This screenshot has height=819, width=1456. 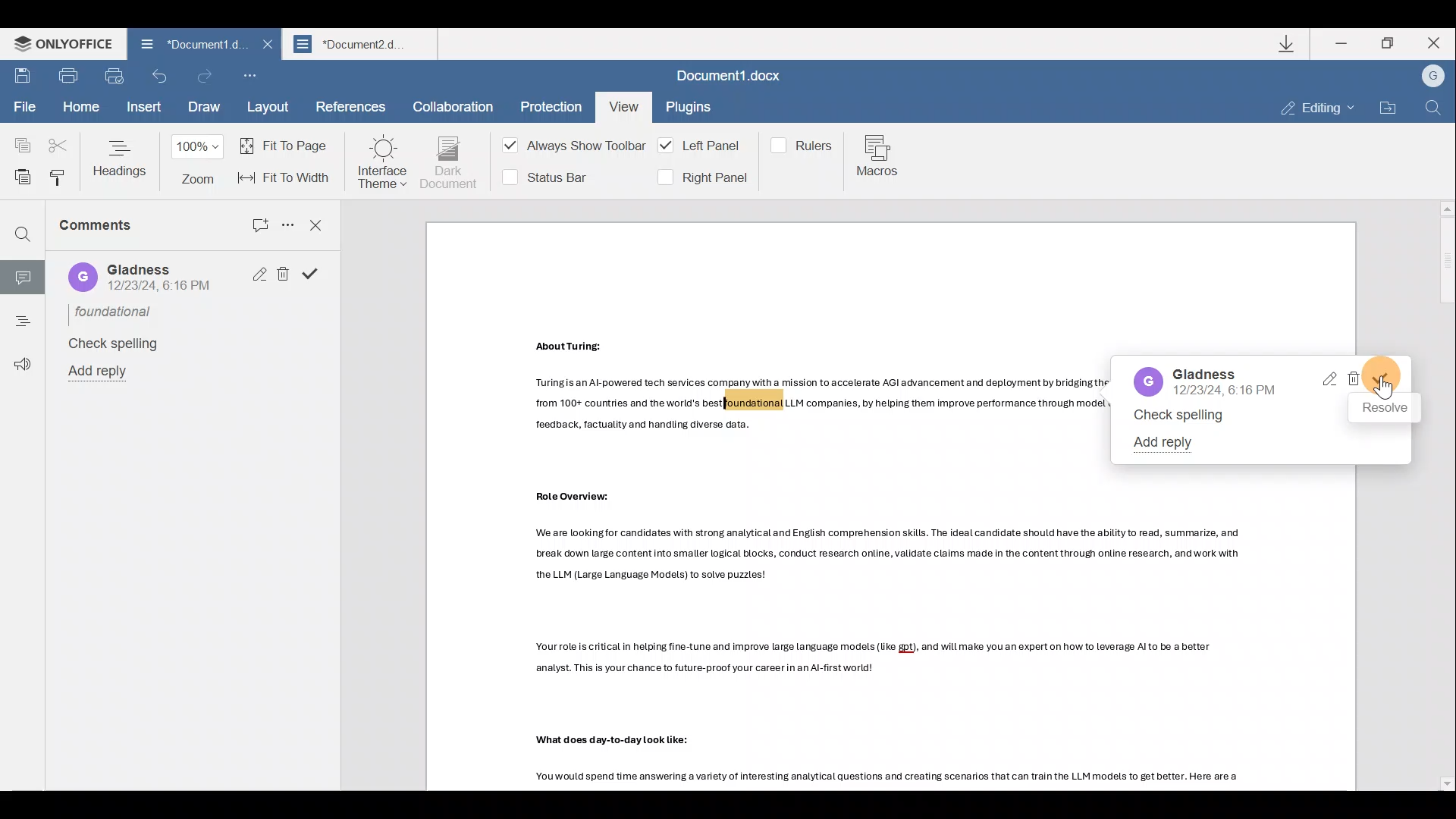 What do you see at coordinates (286, 177) in the screenshot?
I see `Fit to width` at bounding box center [286, 177].